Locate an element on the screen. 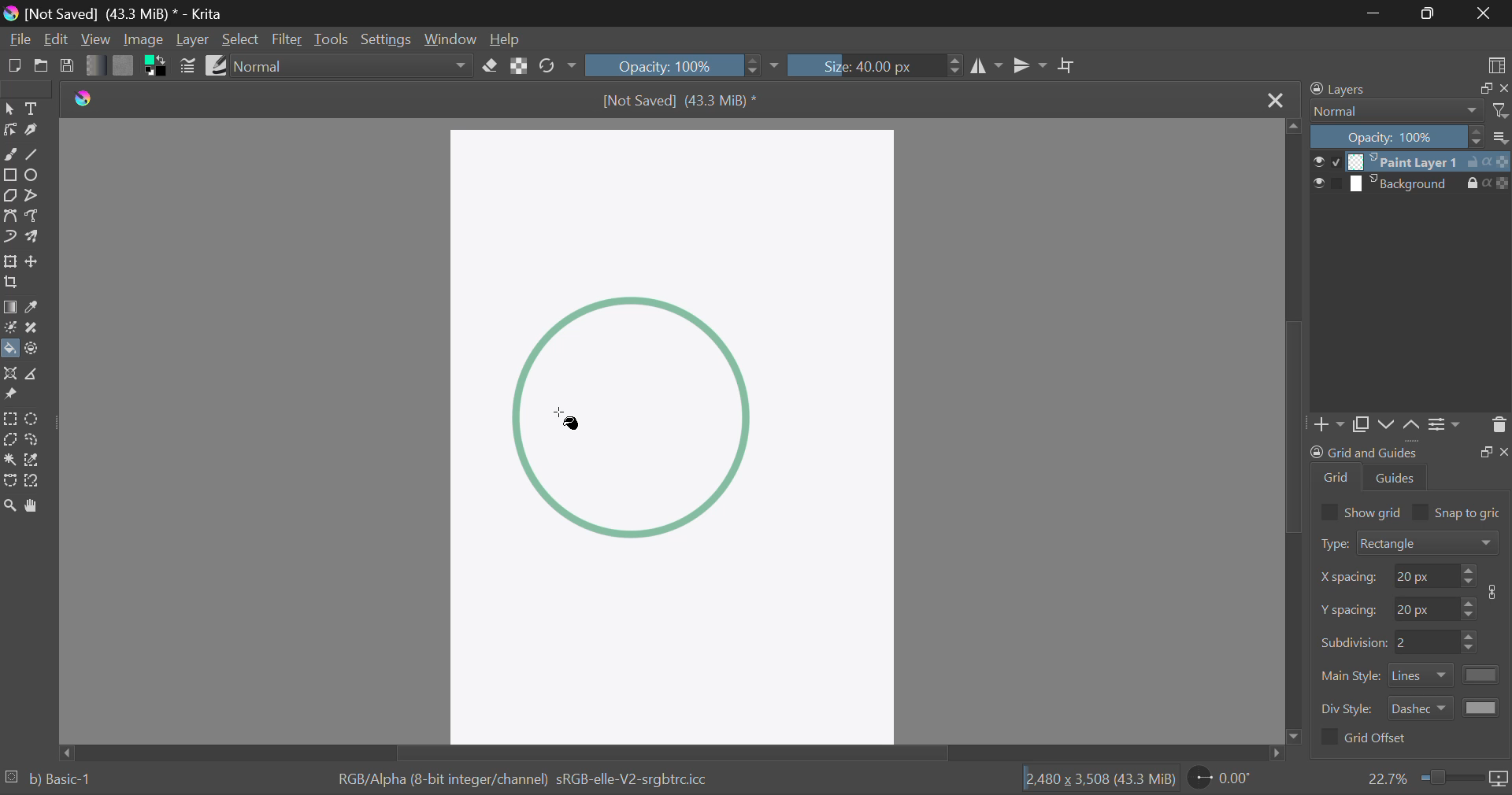 The width and height of the screenshot is (1512, 795). Copy Layers is located at coordinates (1362, 425).